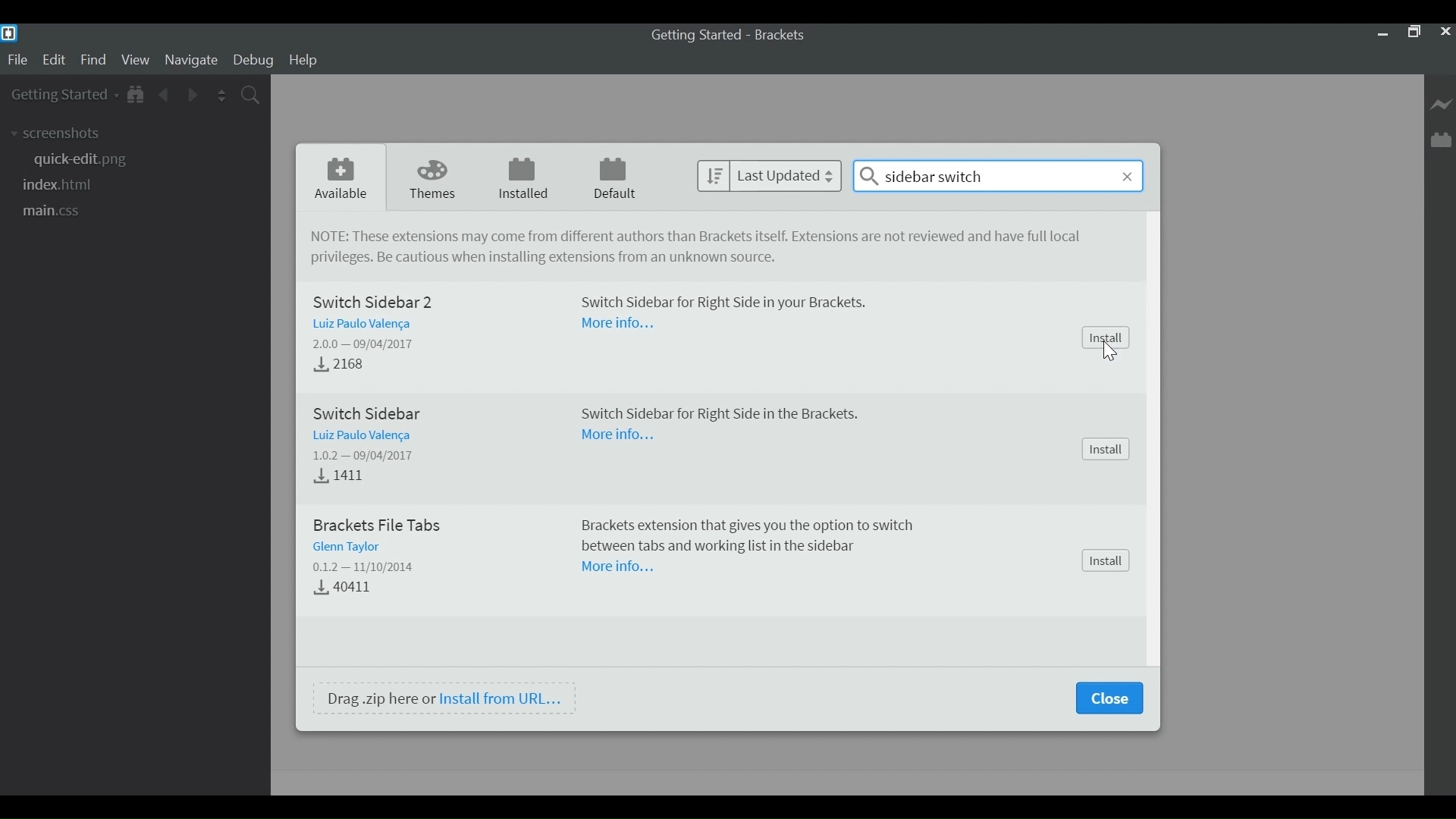 The image size is (1456, 819). Describe the element at coordinates (702, 237) in the screenshot. I see `NOTE: These extensions may come from different authors than brackets itself. Extensions are not reviewed and ` at that location.